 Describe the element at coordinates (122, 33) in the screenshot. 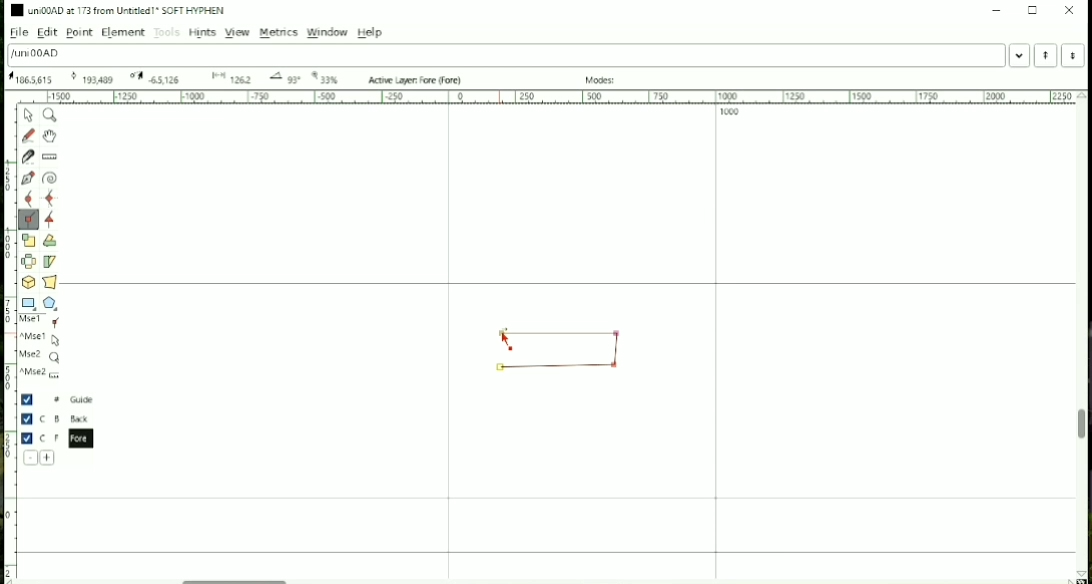

I see `Element` at that location.